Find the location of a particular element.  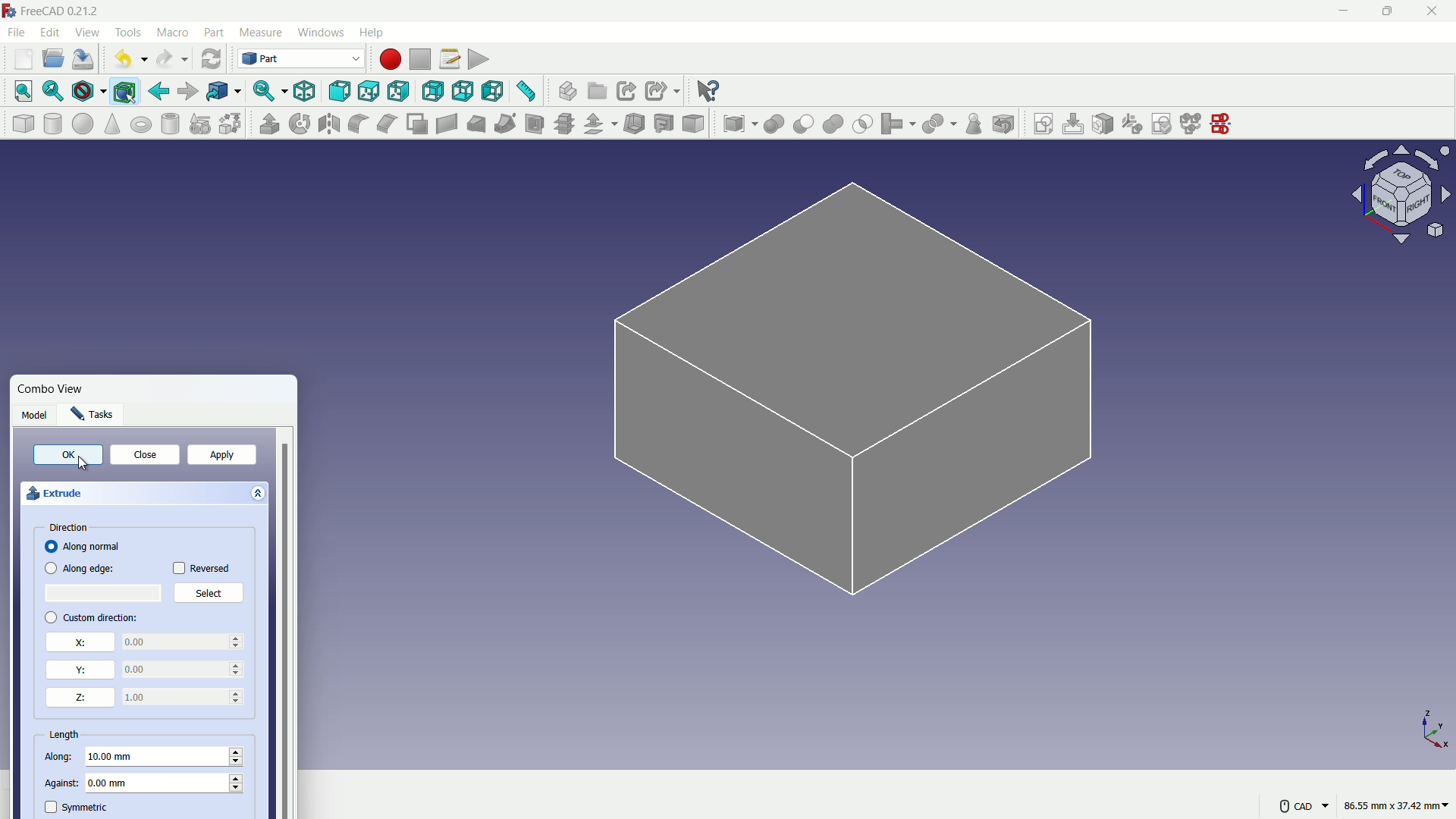

defeaturing is located at coordinates (1003, 124).